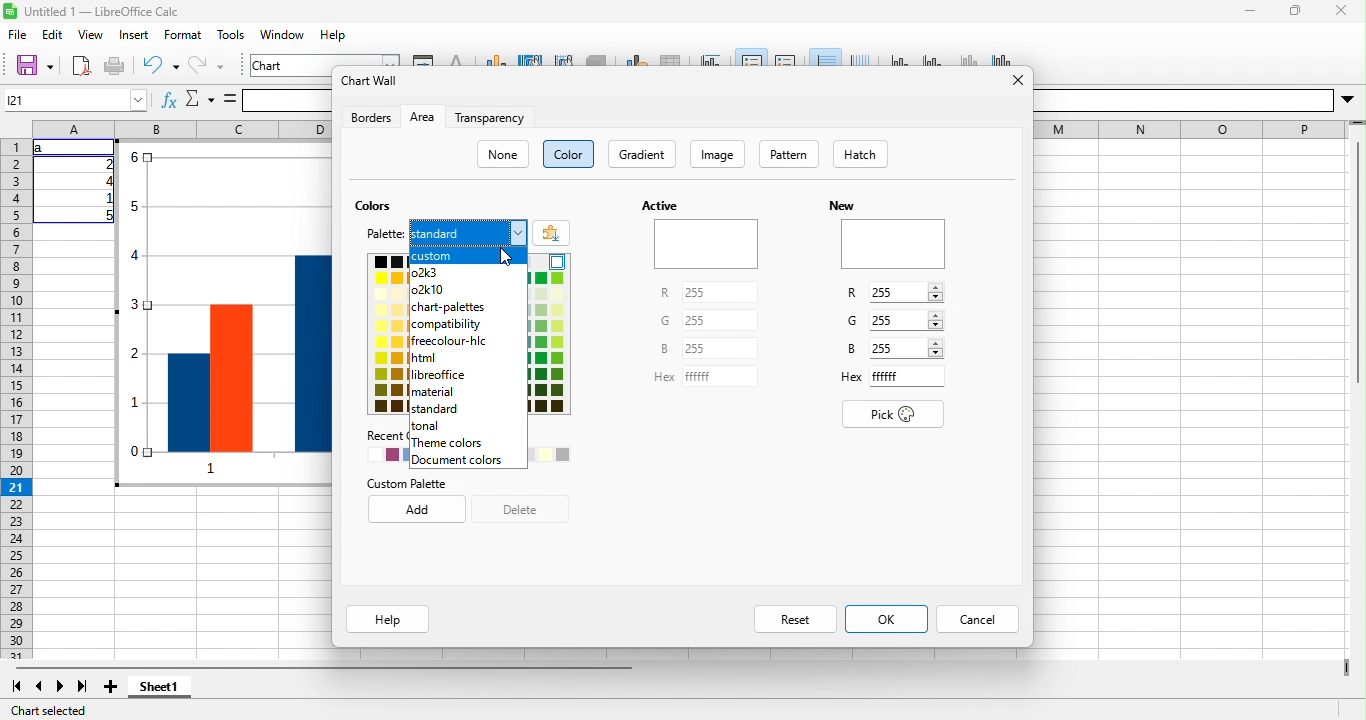 Image resolution: width=1366 pixels, height=720 pixels. I want to click on close, so click(1018, 80).